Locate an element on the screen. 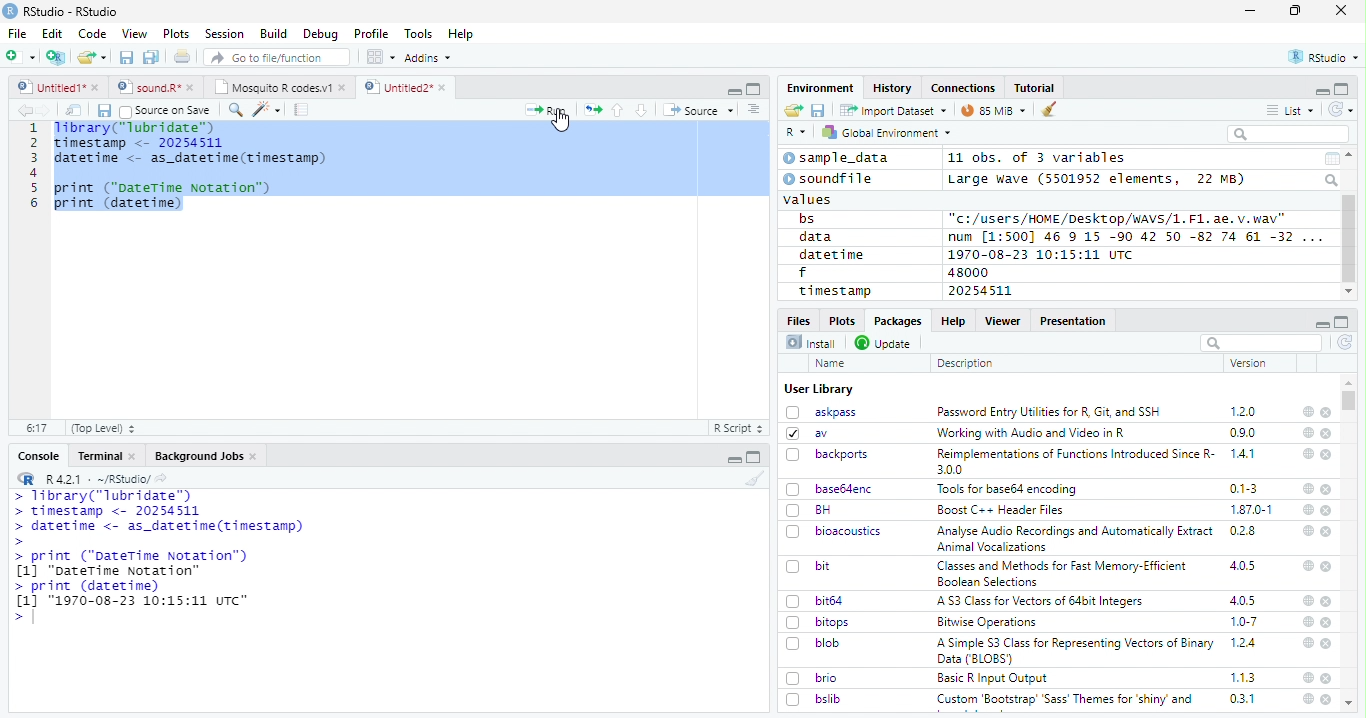 Image resolution: width=1366 pixels, height=718 pixels. bit64 is located at coordinates (815, 601).